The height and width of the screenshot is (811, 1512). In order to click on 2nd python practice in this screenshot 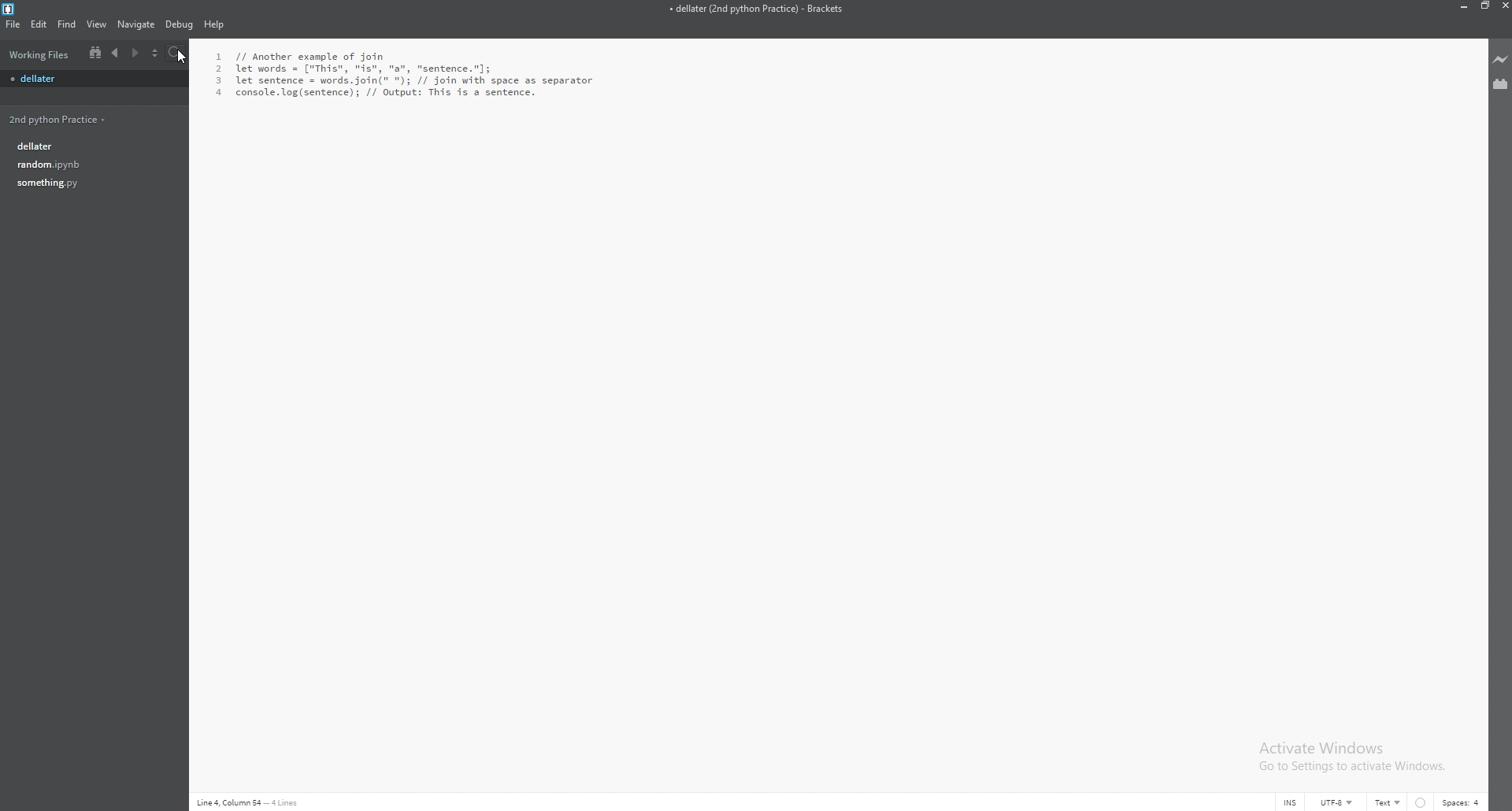, I will do `click(57, 119)`.